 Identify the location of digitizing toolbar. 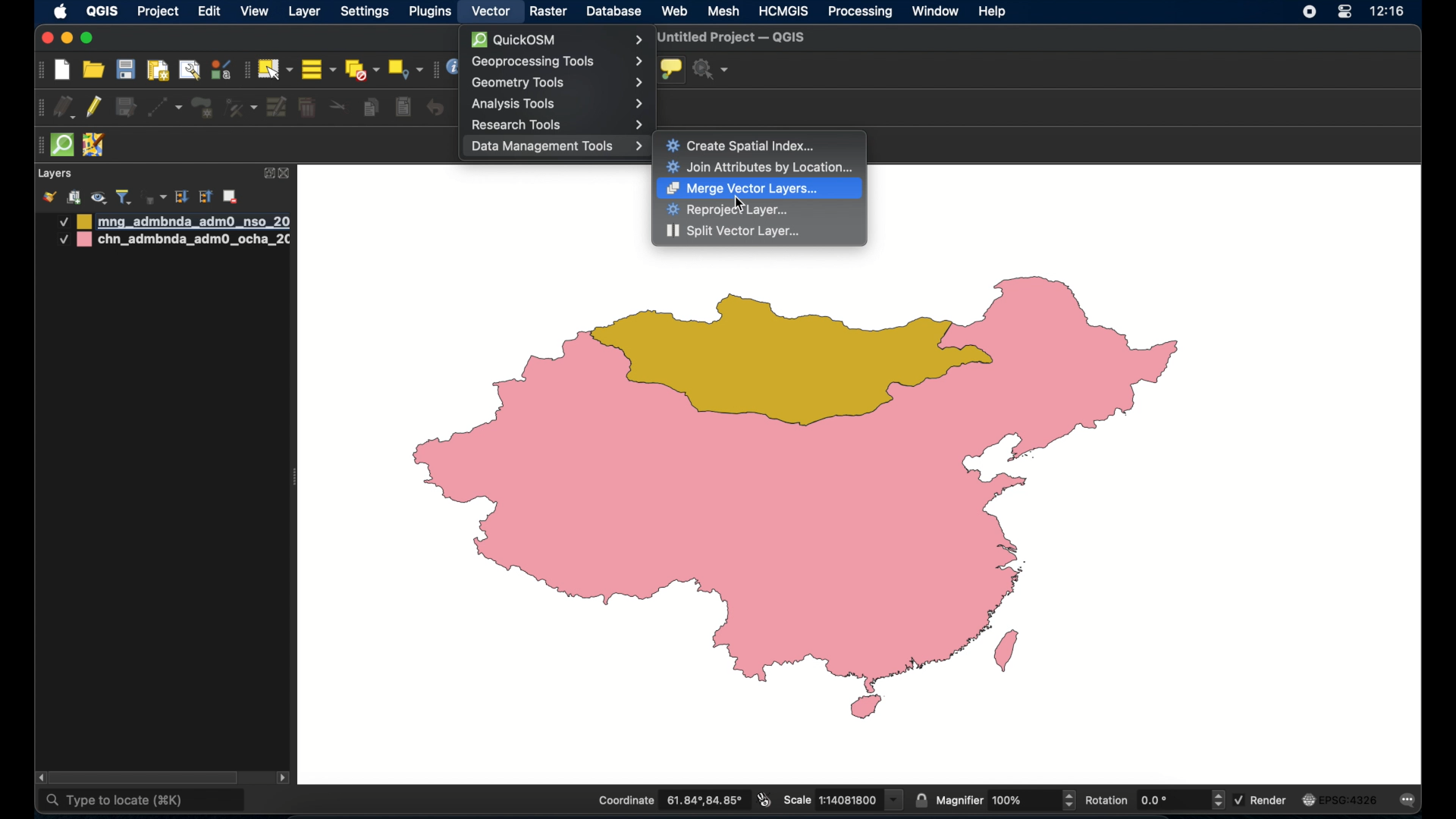
(42, 110).